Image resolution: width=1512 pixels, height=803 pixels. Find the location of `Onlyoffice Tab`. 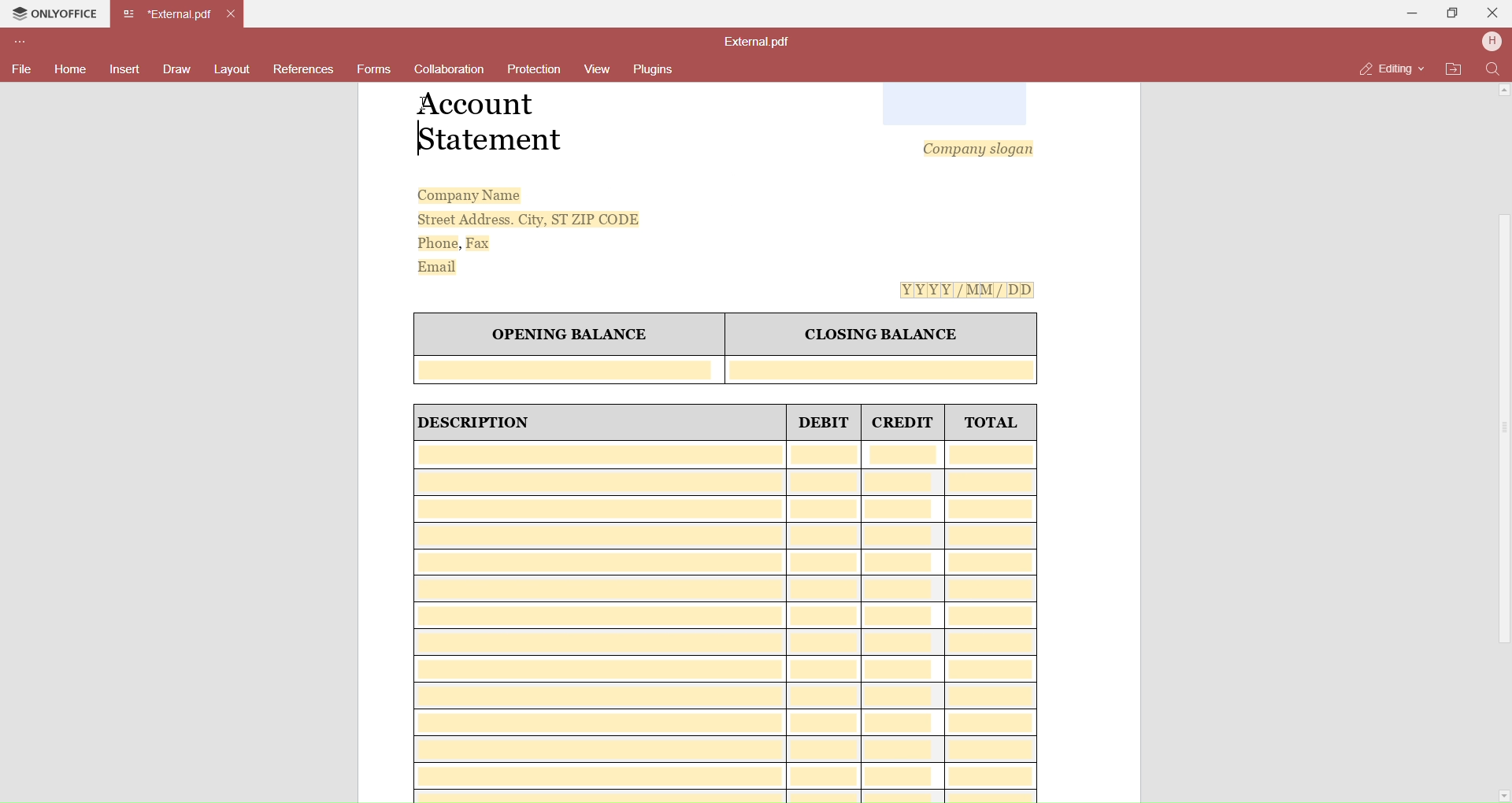

Onlyoffice Tab is located at coordinates (58, 15).